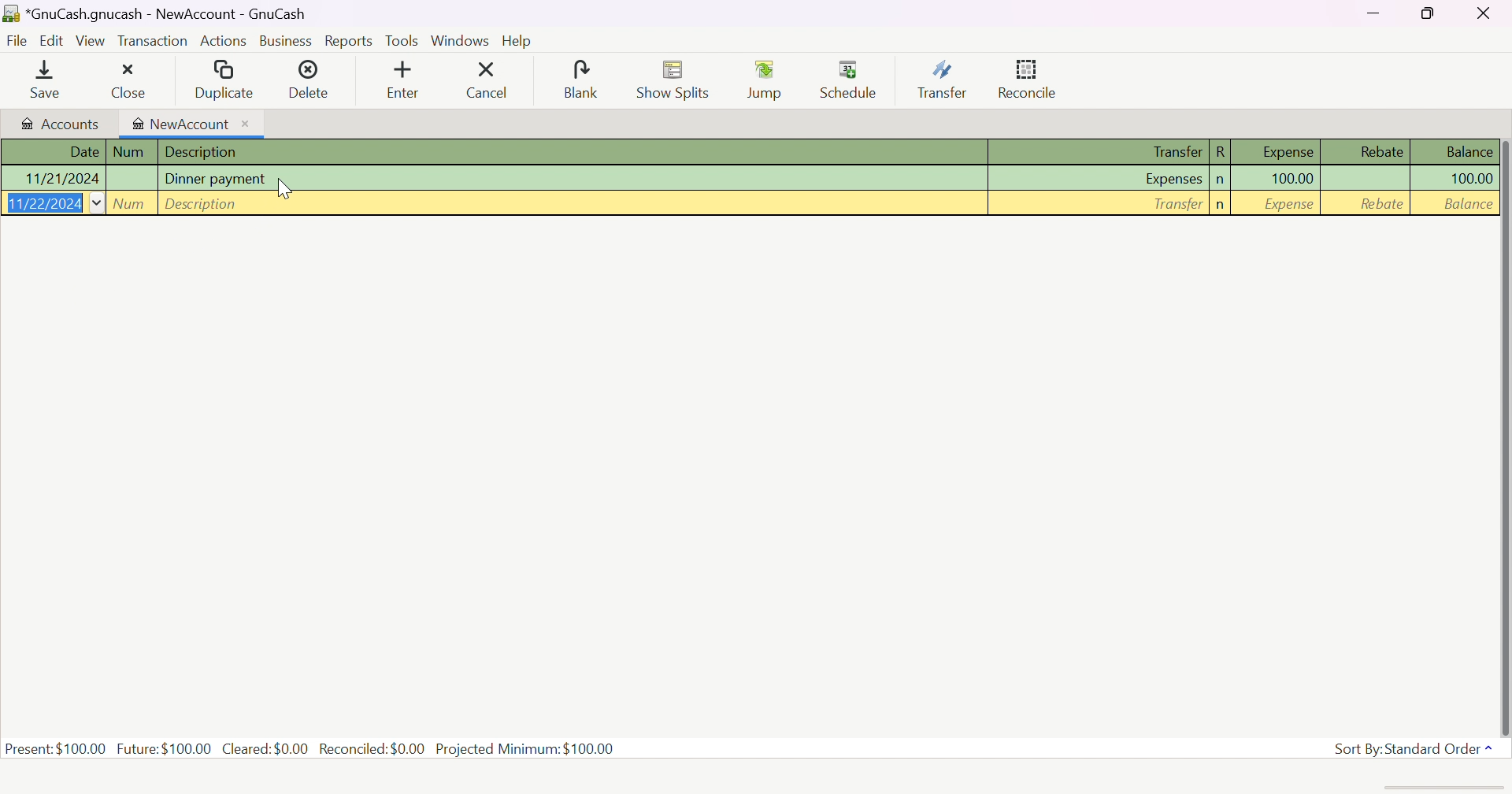 The image size is (1512, 794). I want to click on Transfer, so click(1177, 205).